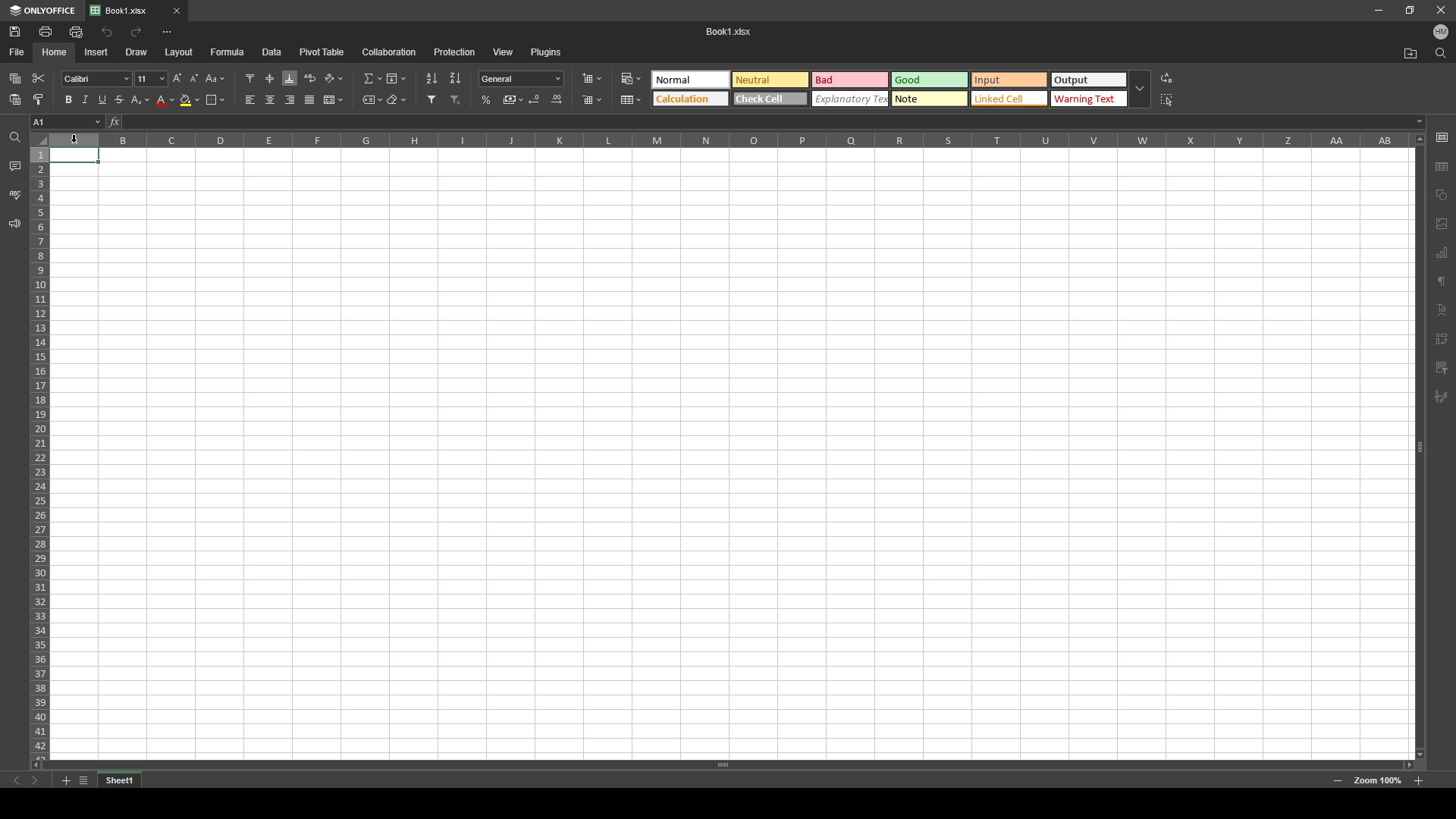  Describe the element at coordinates (14, 224) in the screenshot. I see `support` at that location.